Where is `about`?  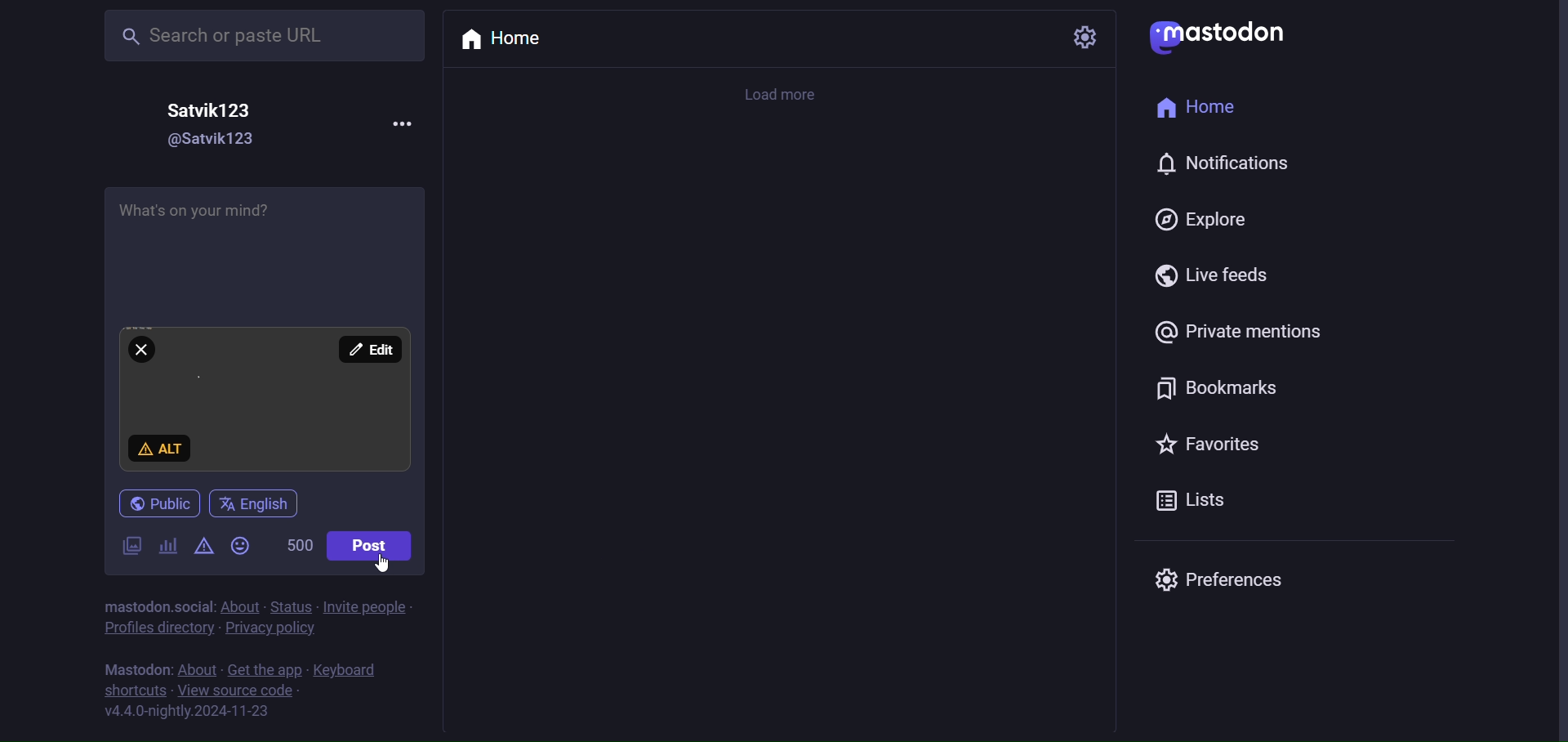 about is located at coordinates (196, 668).